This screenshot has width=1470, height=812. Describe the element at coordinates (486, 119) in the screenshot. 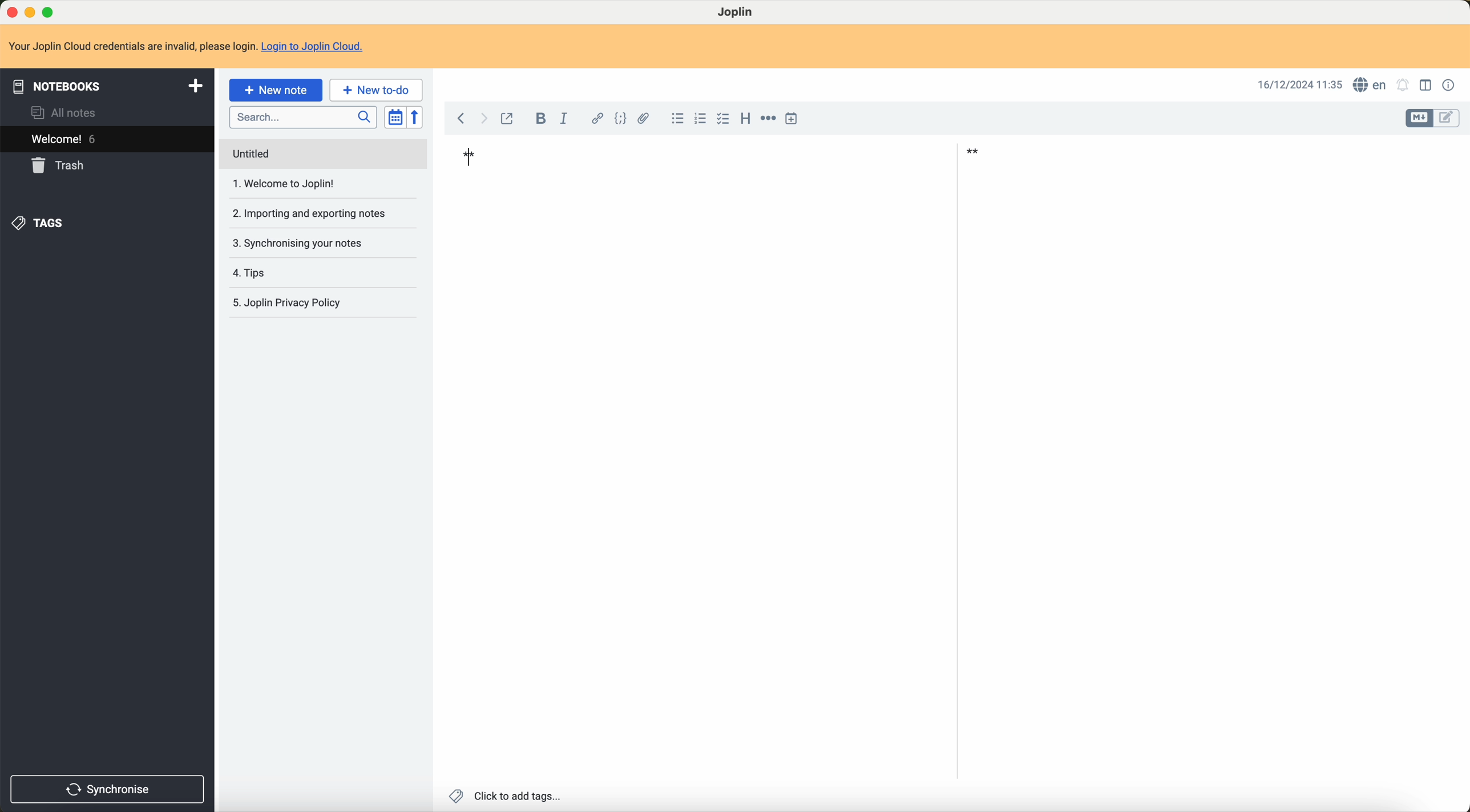

I see `foward` at that location.